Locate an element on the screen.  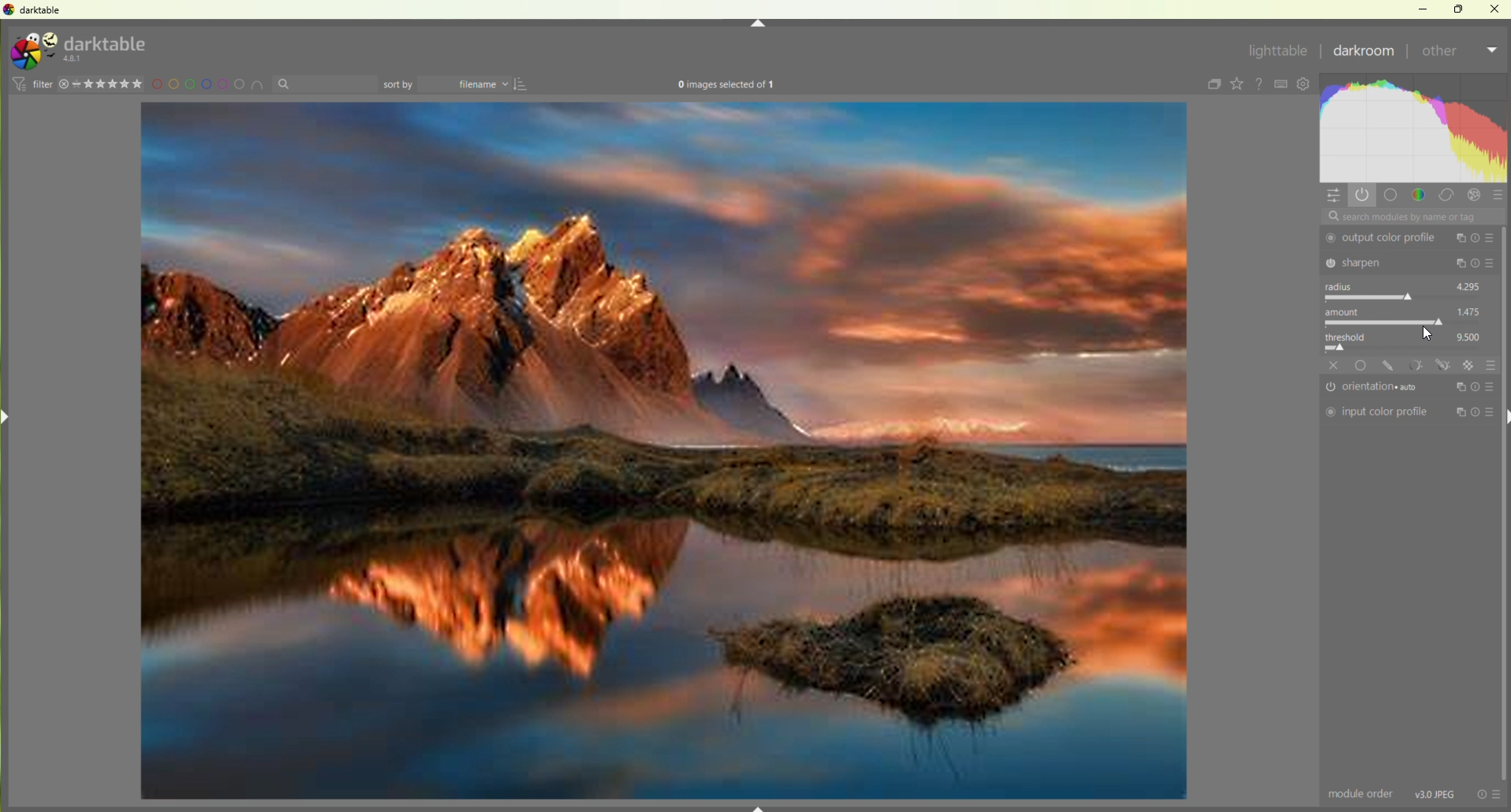
color is located at coordinates (1419, 194).